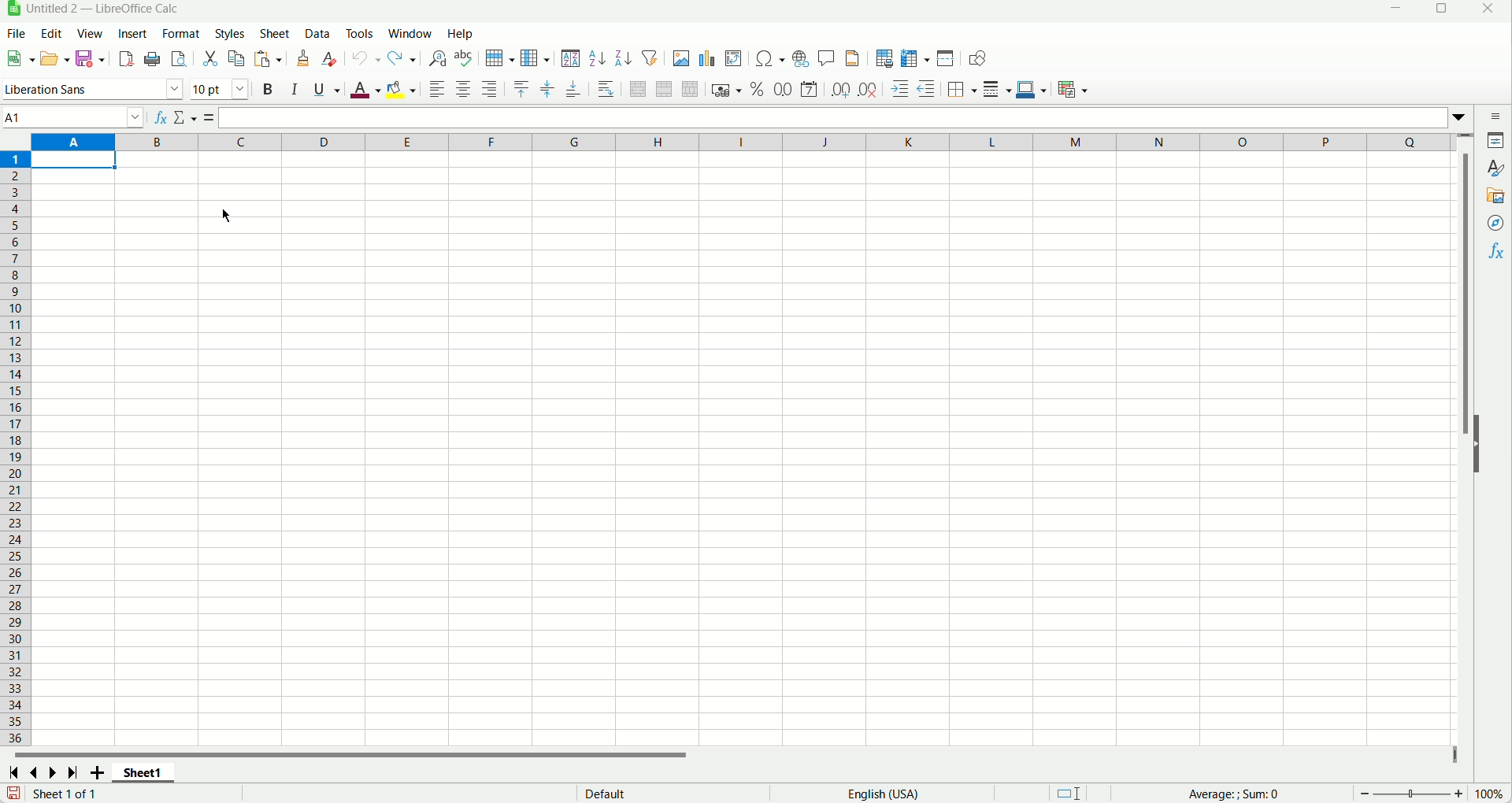 This screenshot has width=1512, height=803. What do you see at coordinates (574, 89) in the screenshot?
I see `Align bottom` at bounding box center [574, 89].